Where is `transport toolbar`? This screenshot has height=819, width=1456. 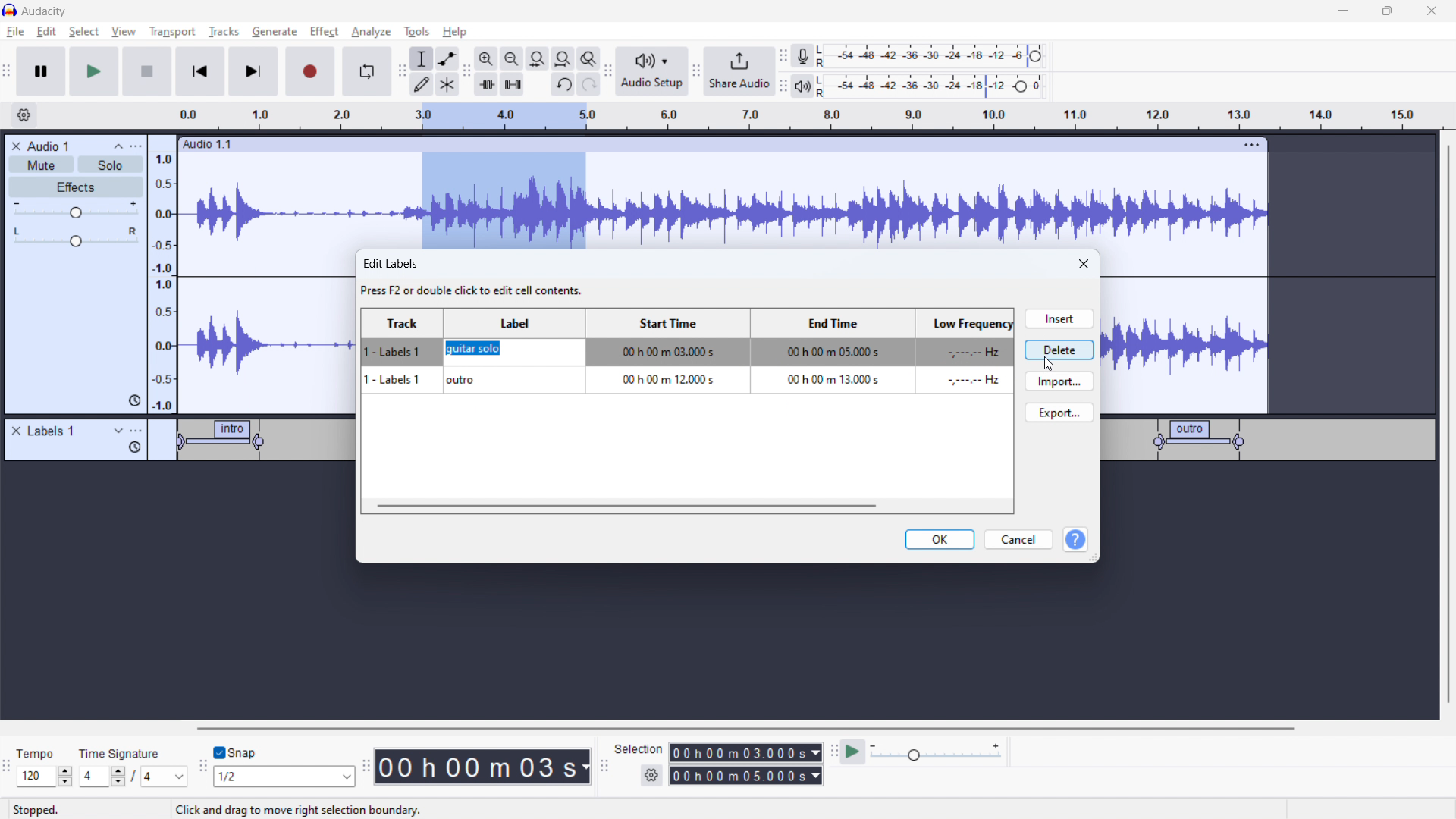
transport toolbar is located at coordinates (8, 74).